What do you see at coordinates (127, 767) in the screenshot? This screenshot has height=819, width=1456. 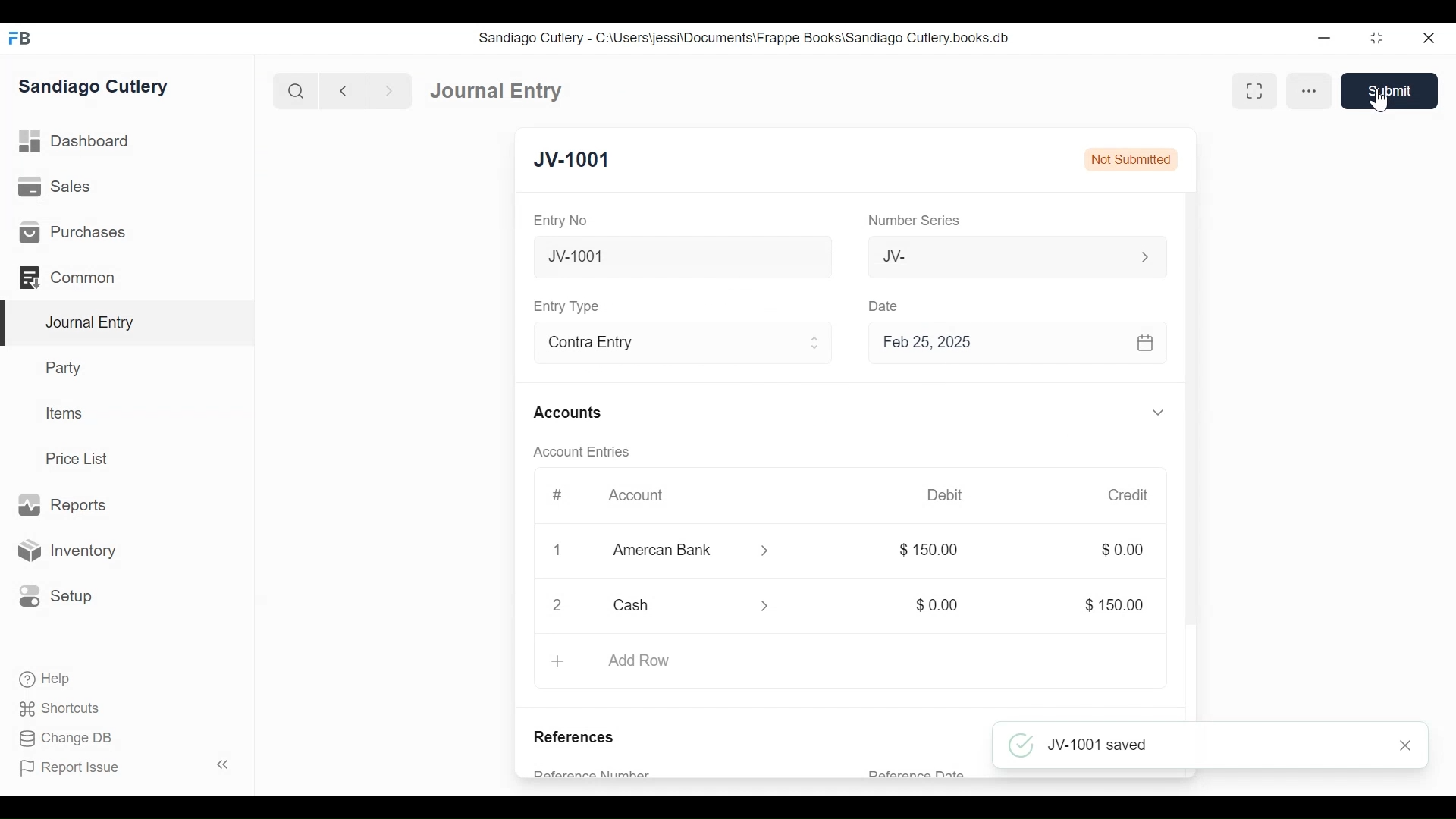 I see `Report Issue` at bounding box center [127, 767].